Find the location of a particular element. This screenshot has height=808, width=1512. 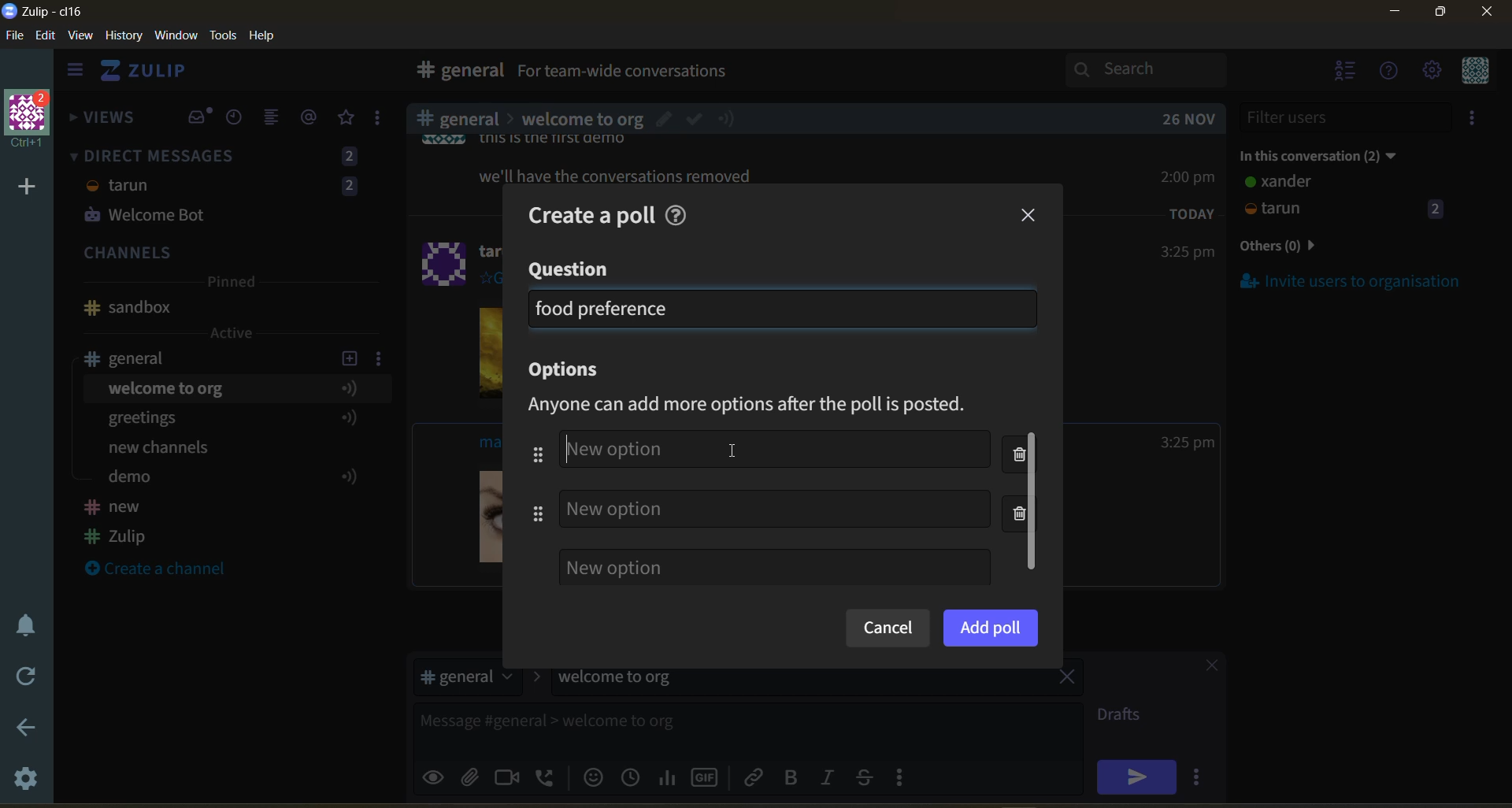

history is located at coordinates (124, 39).